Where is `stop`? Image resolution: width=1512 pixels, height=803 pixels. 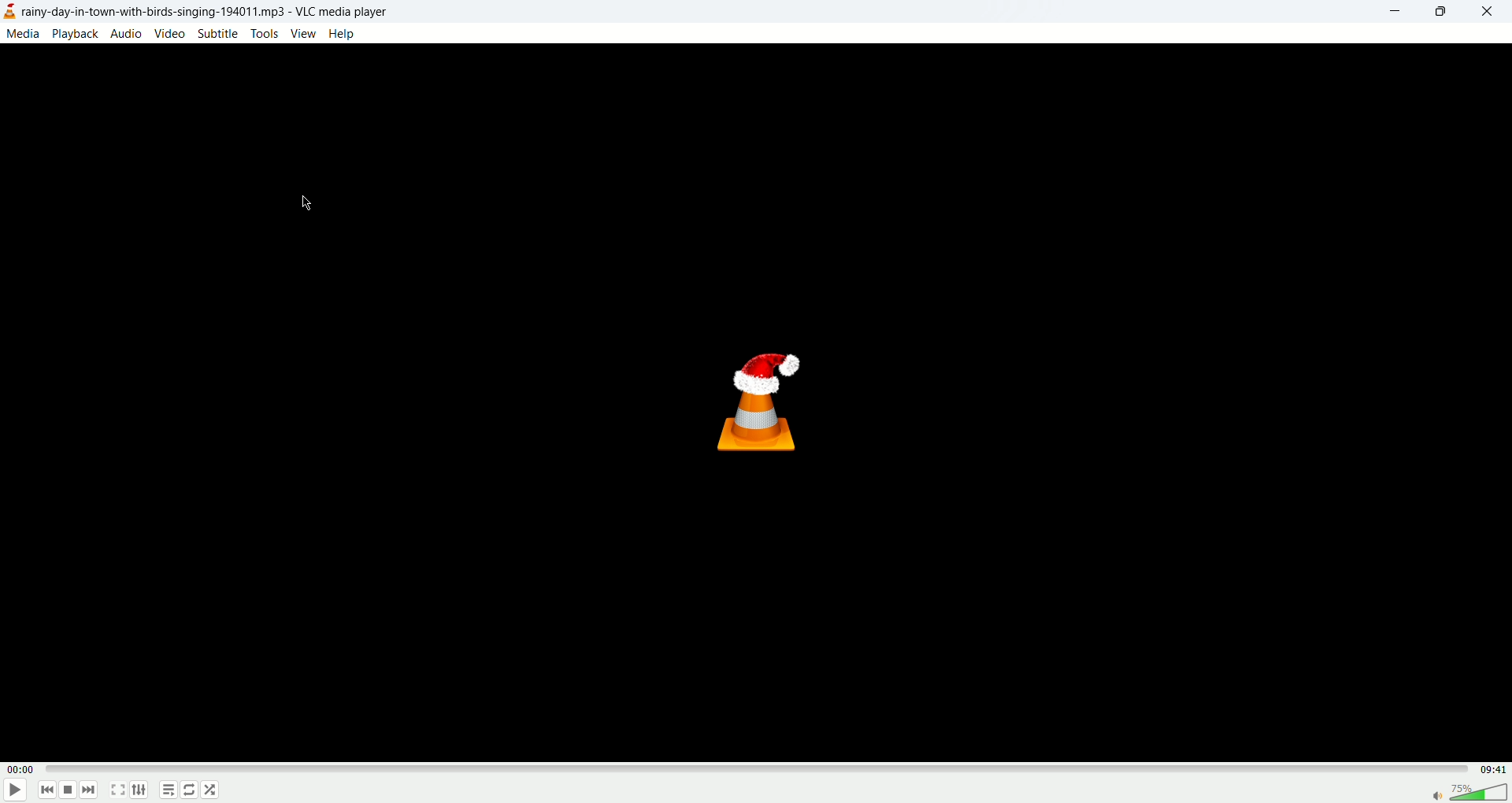
stop is located at coordinates (69, 790).